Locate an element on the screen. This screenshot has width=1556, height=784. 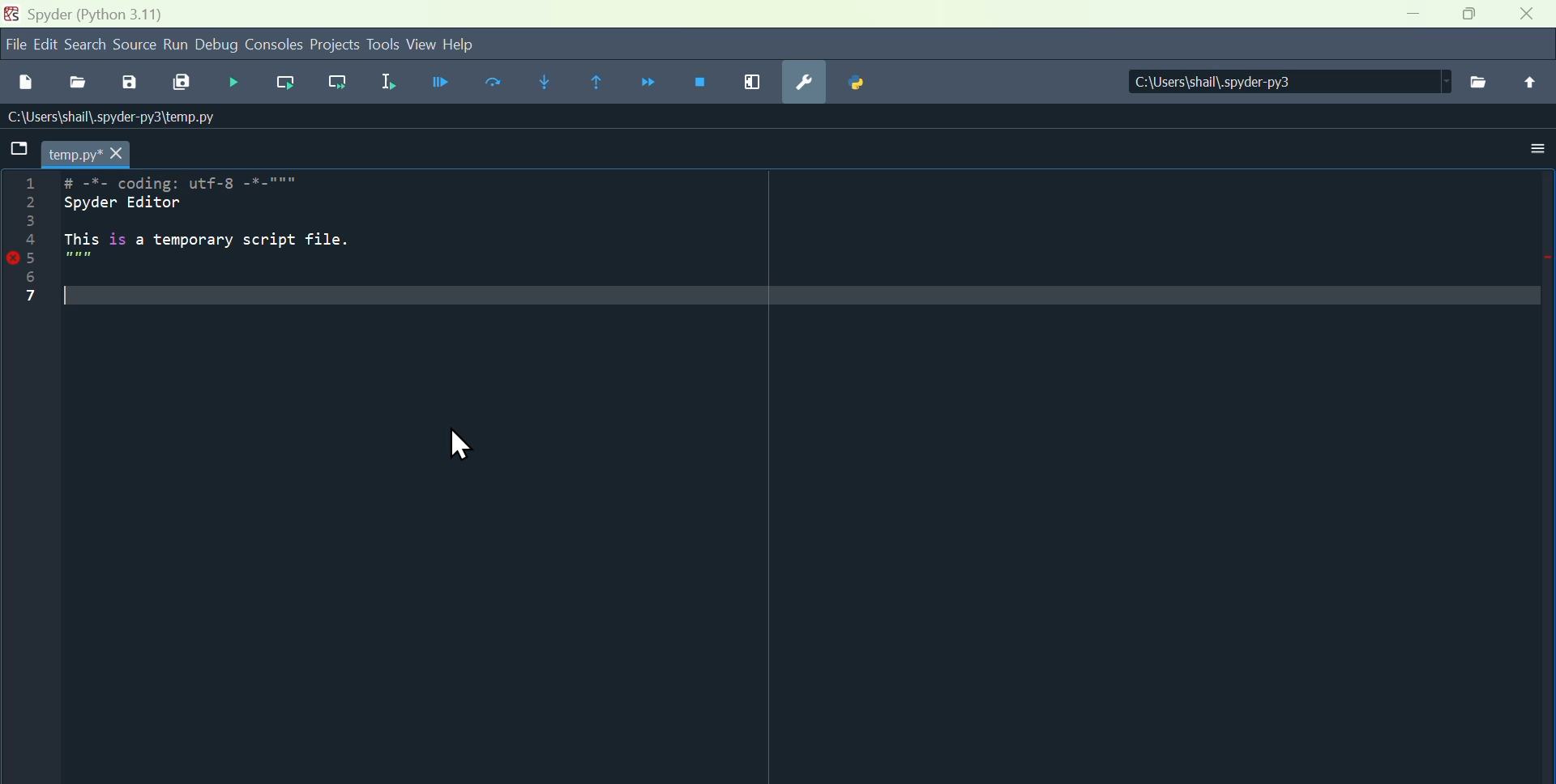
Run current cell is located at coordinates (495, 84).